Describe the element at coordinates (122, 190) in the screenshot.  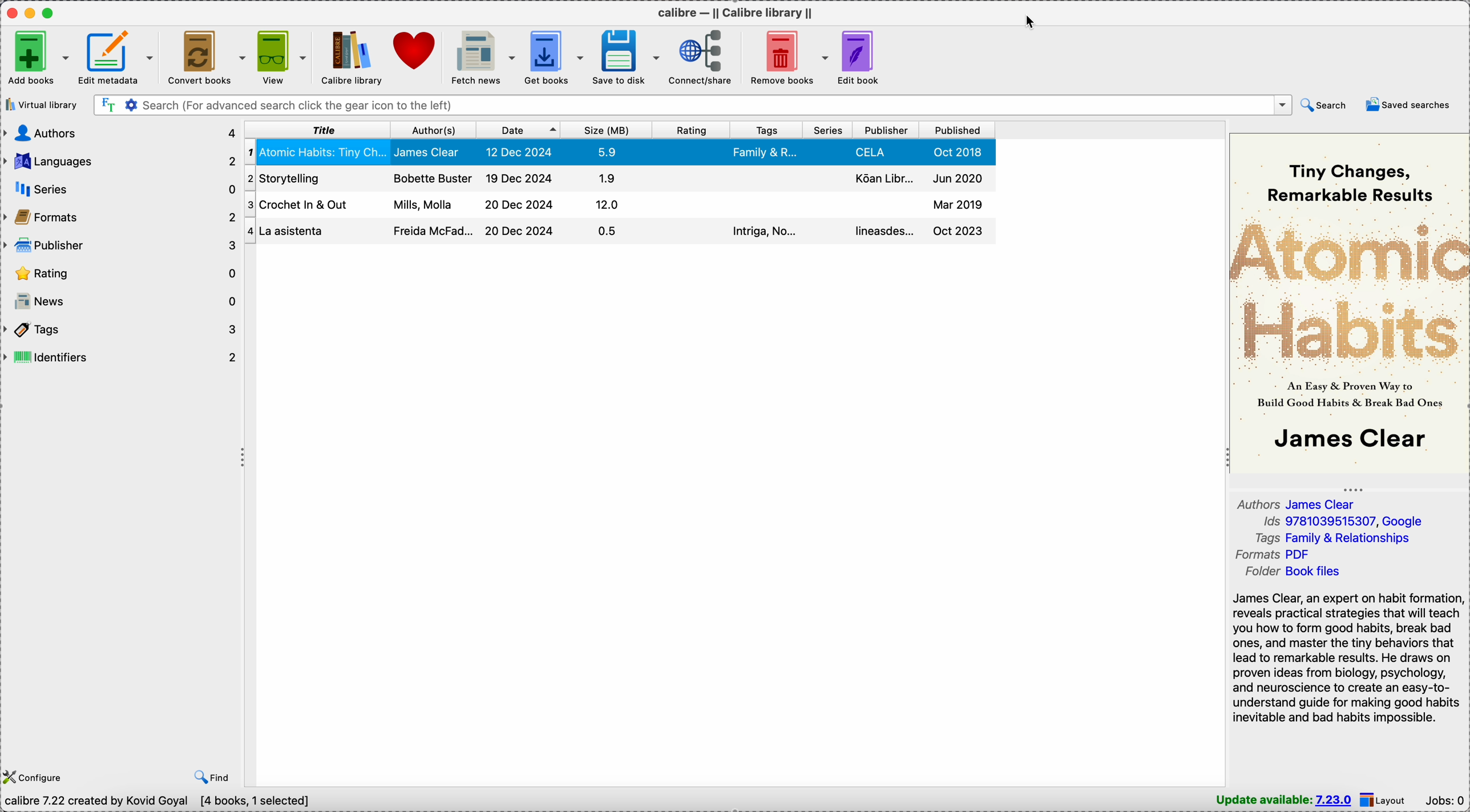
I see `series` at that location.